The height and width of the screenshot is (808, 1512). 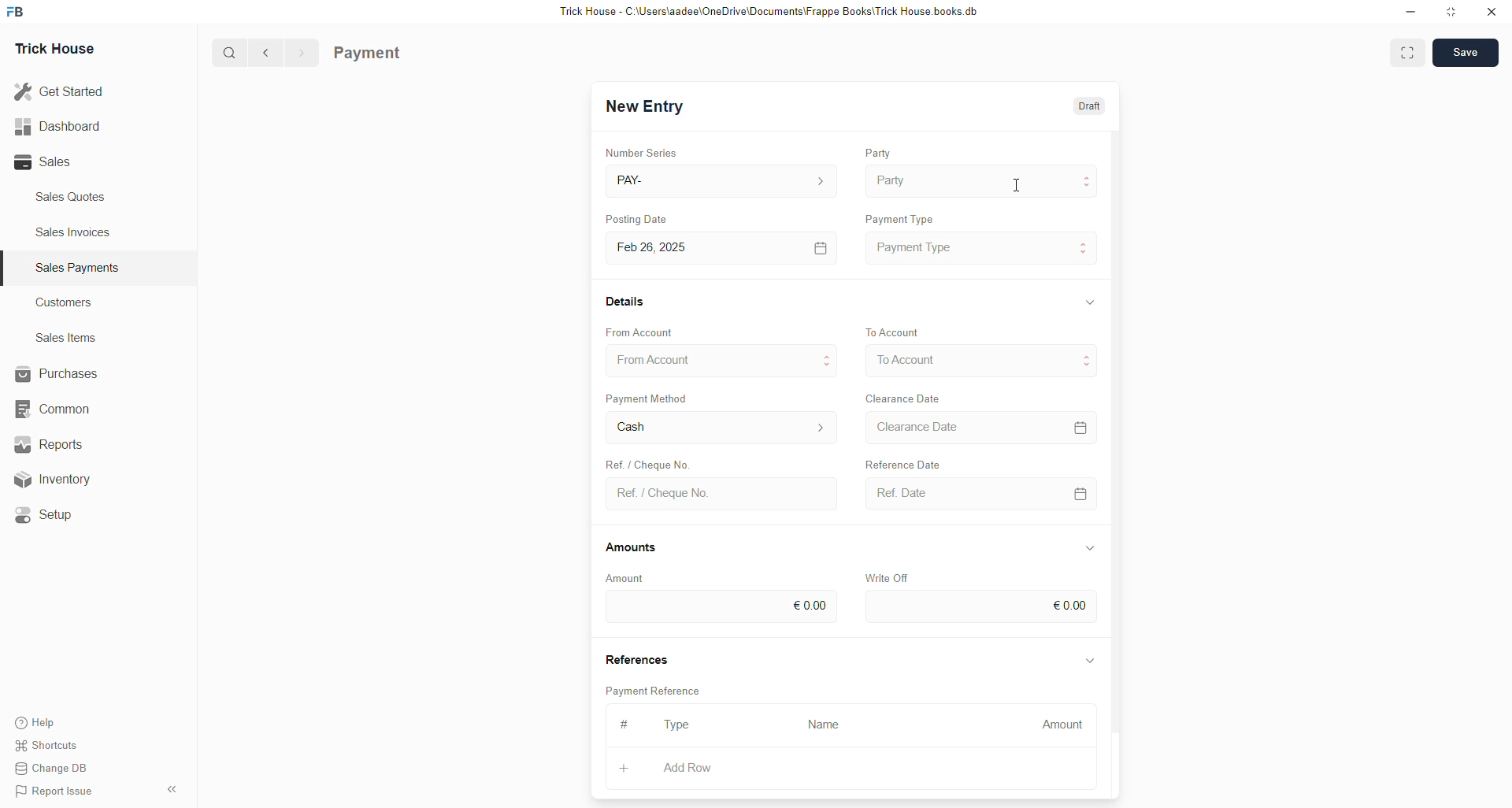 I want to click on €0.00, so click(x=982, y=606).